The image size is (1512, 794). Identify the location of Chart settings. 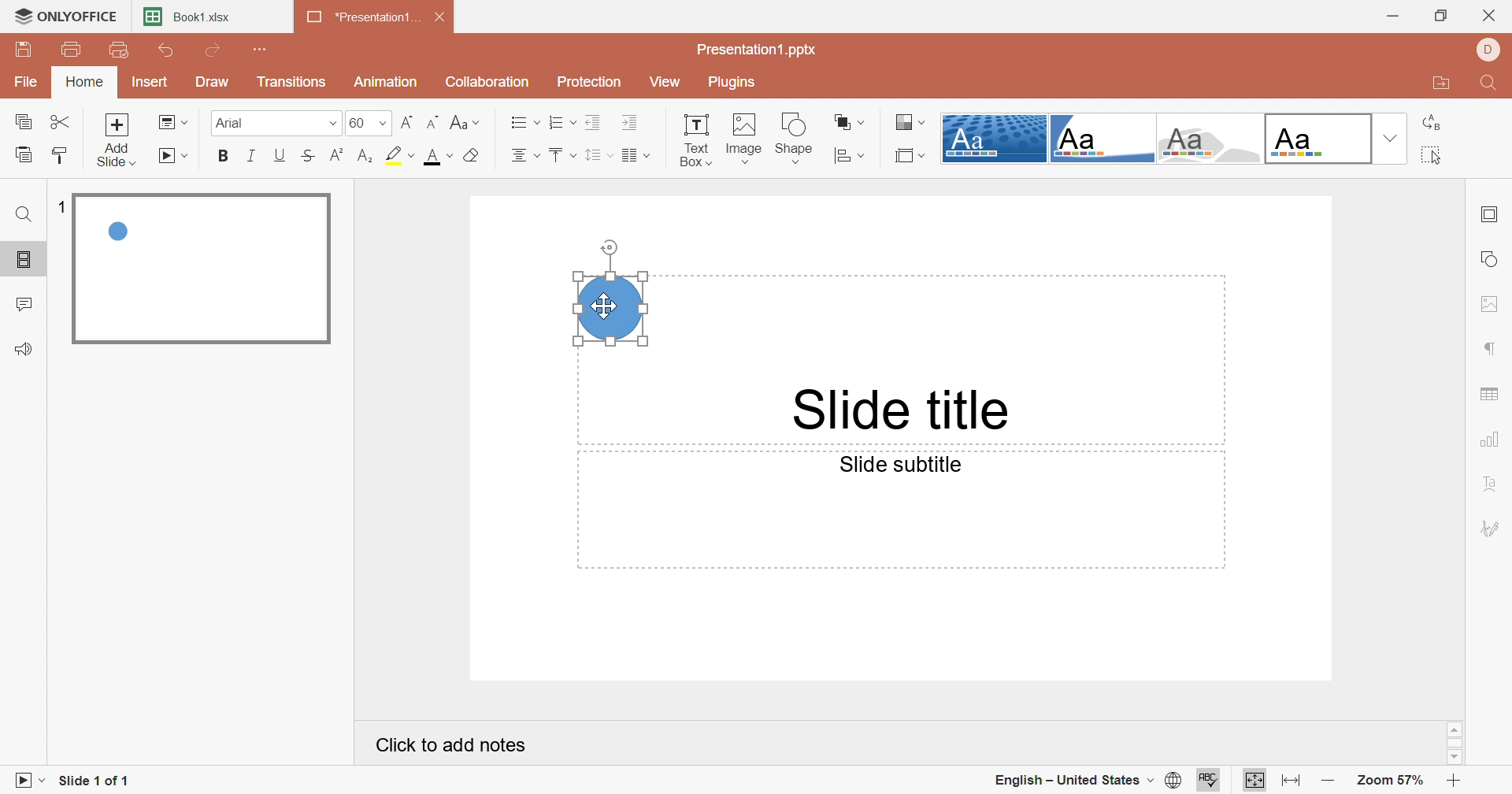
(1492, 440).